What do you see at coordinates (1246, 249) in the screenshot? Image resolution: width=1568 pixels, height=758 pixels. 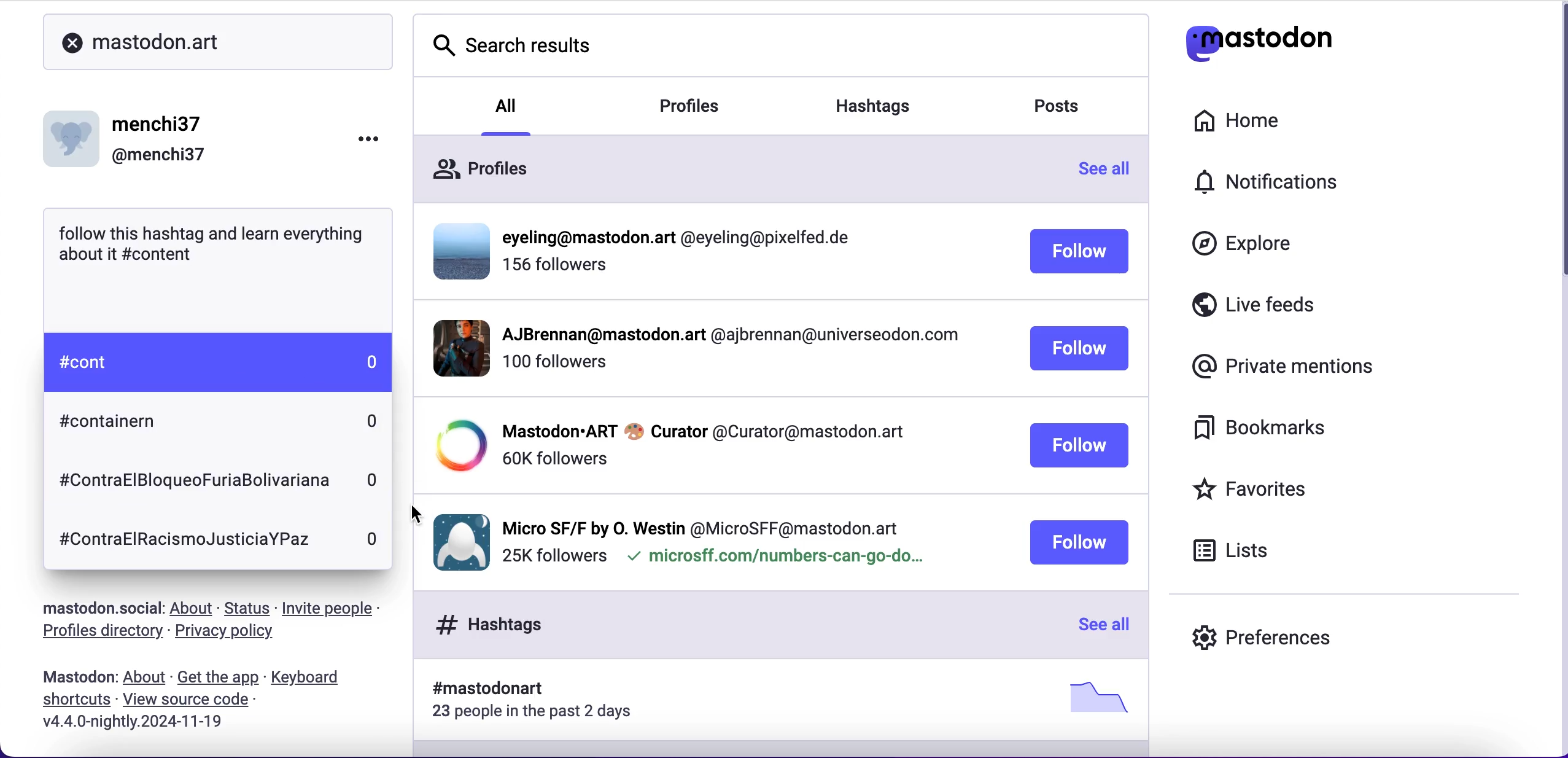 I see `explore` at bounding box center [1246, 249].